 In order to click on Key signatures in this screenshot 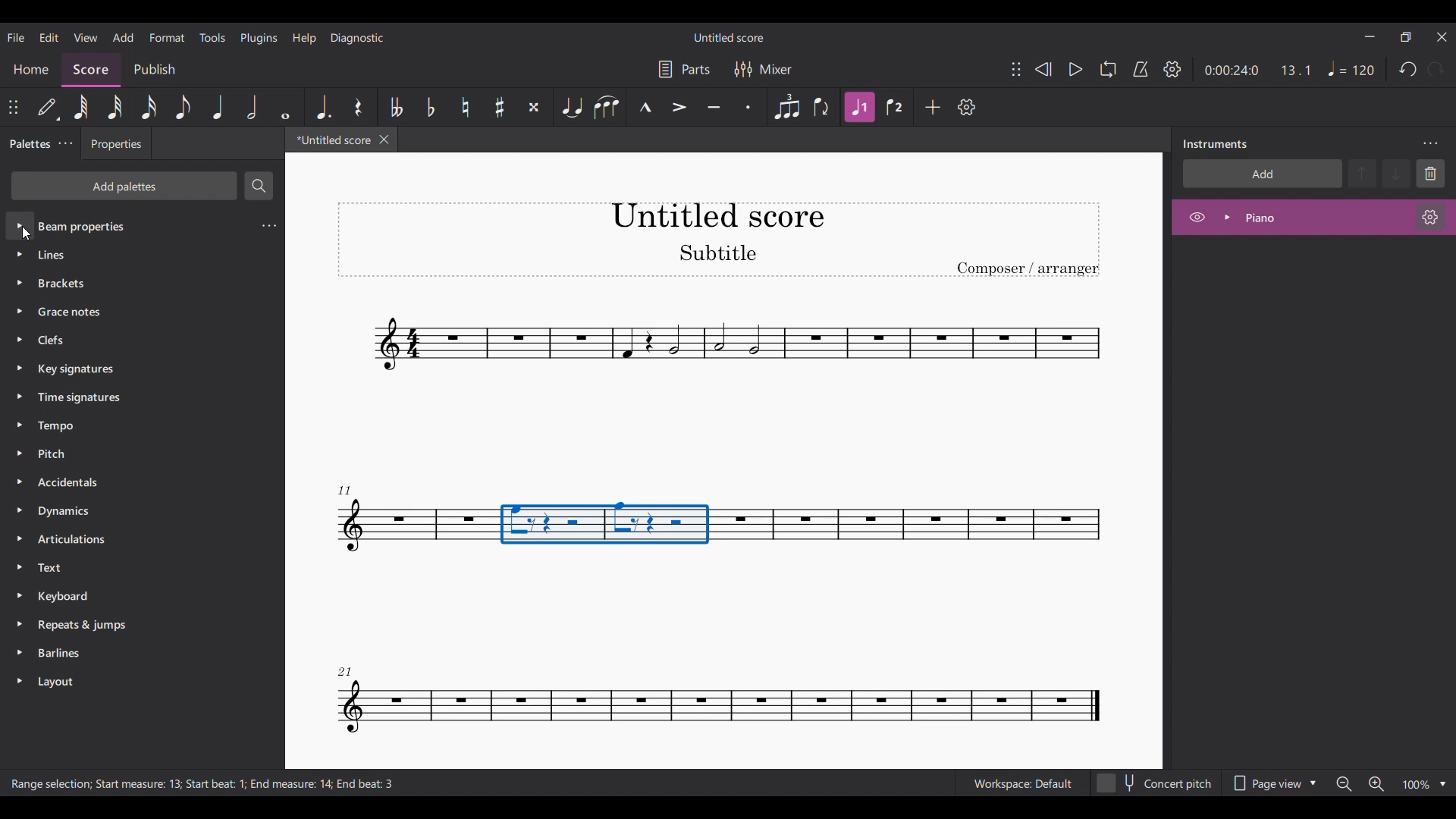, I will do `click(140, 370)`.